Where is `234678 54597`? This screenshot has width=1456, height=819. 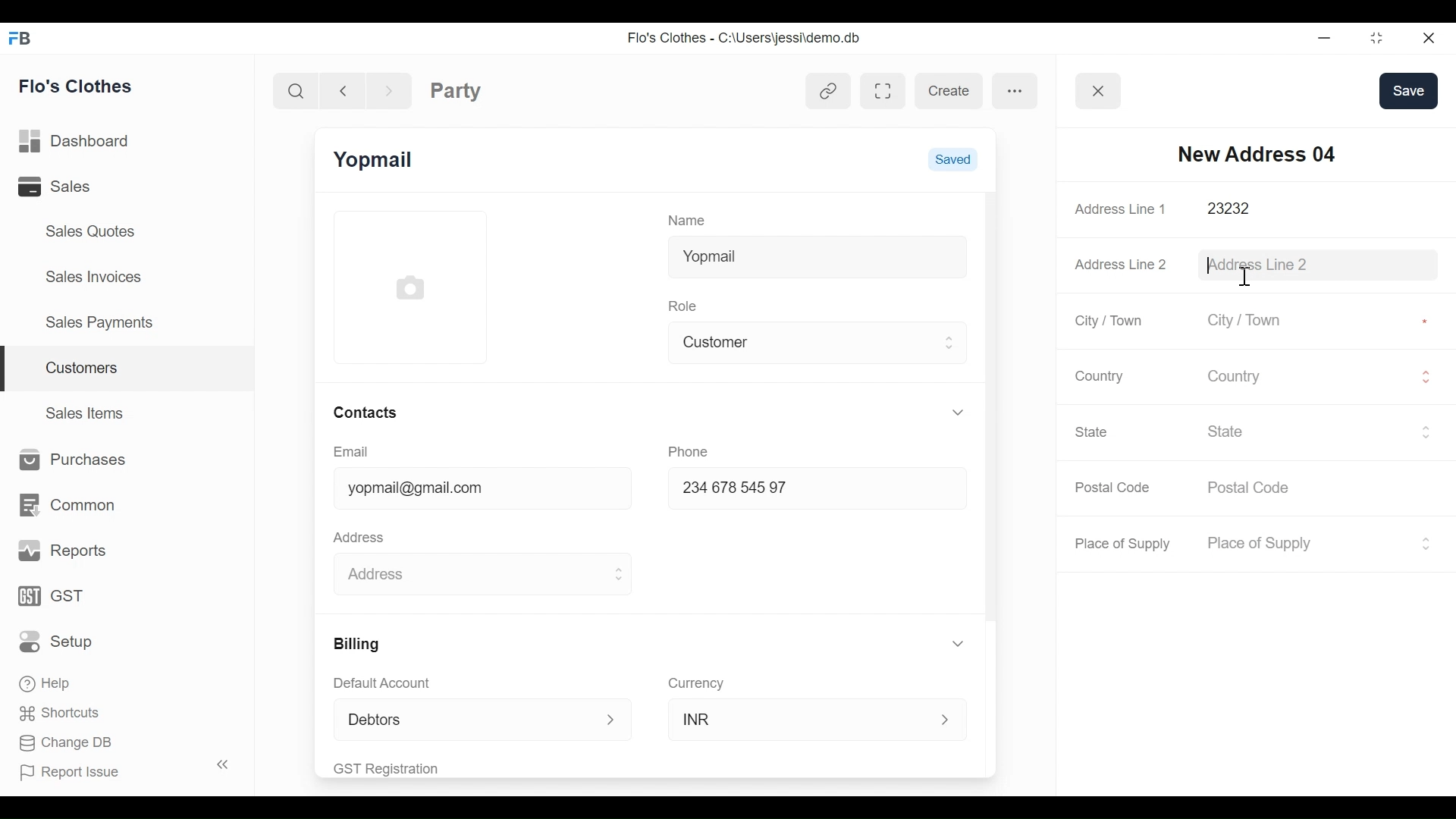
234678 54597 is located at coordinates (802, 490).